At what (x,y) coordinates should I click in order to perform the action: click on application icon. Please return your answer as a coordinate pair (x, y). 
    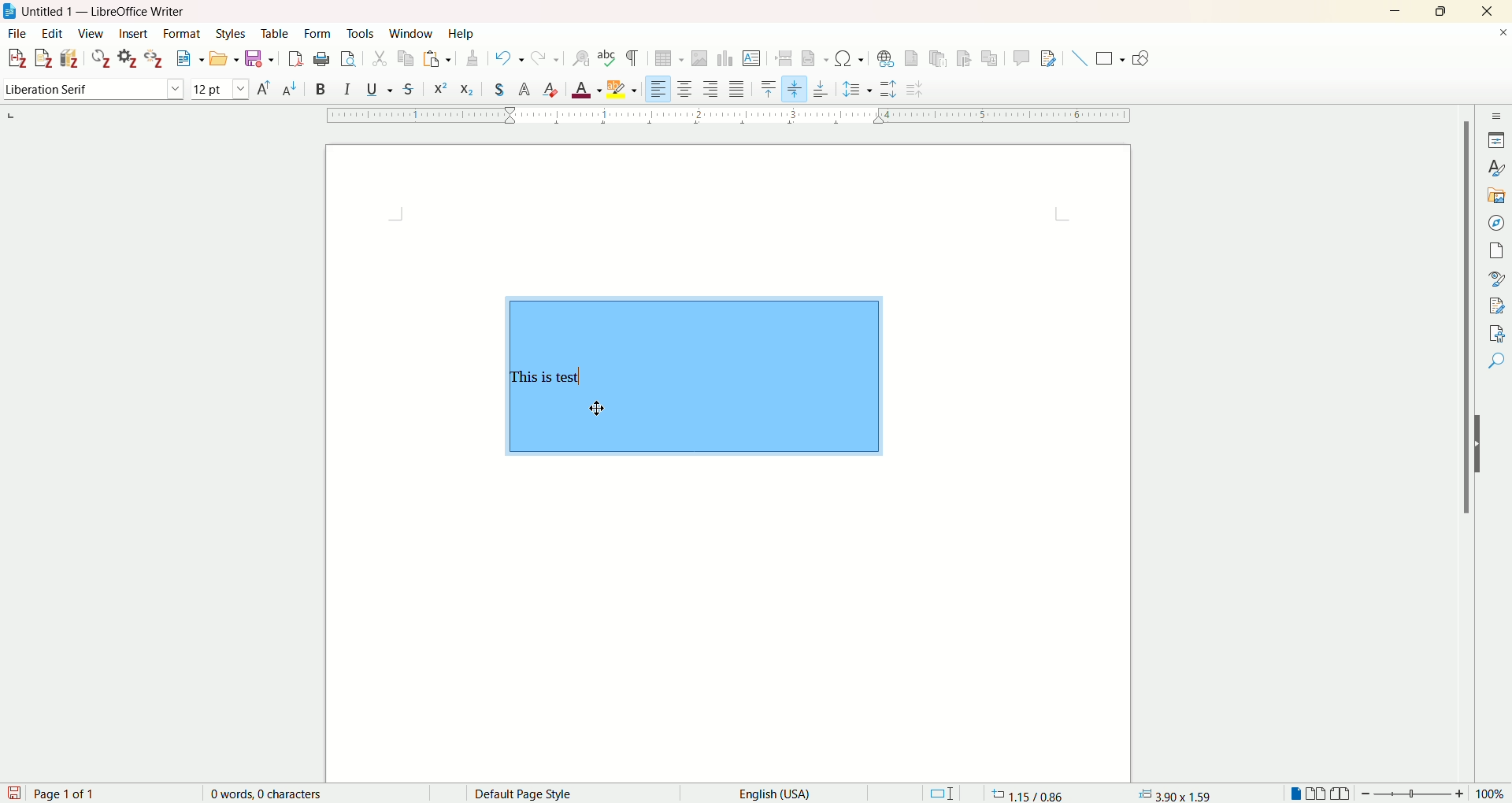
    Looking at the image, I should click on (9, 9).